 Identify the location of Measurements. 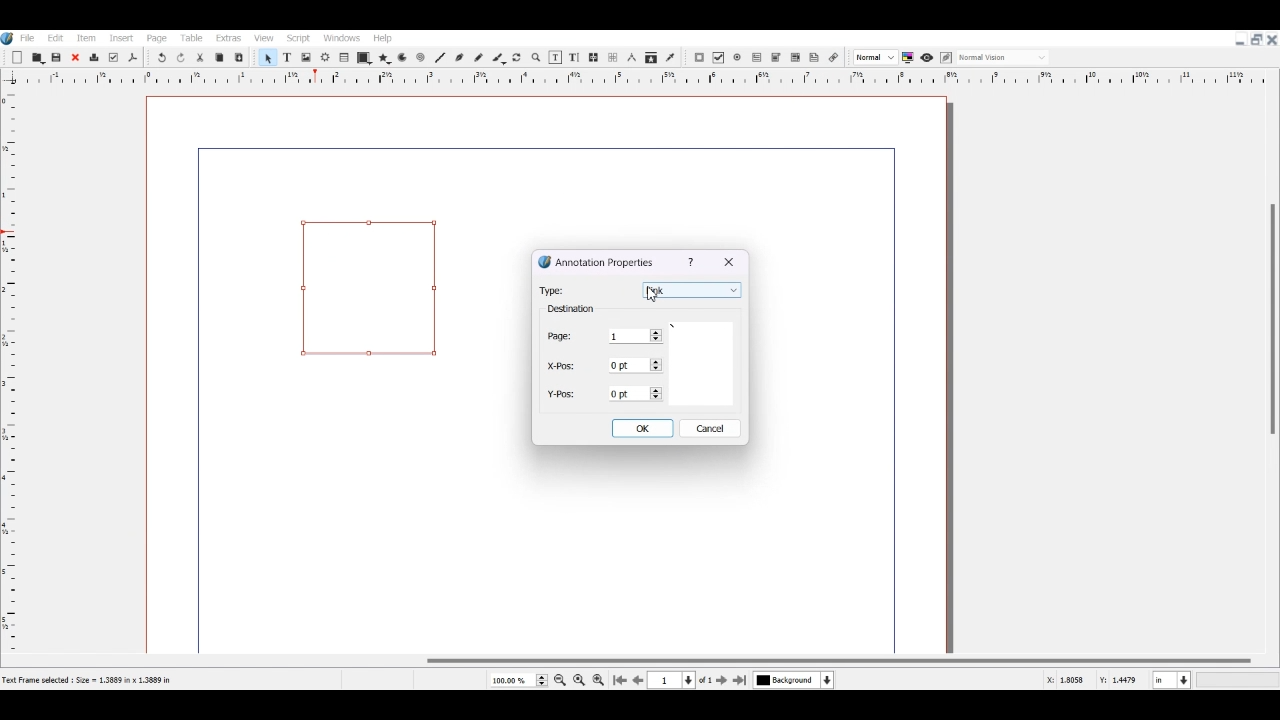
(631, 58).